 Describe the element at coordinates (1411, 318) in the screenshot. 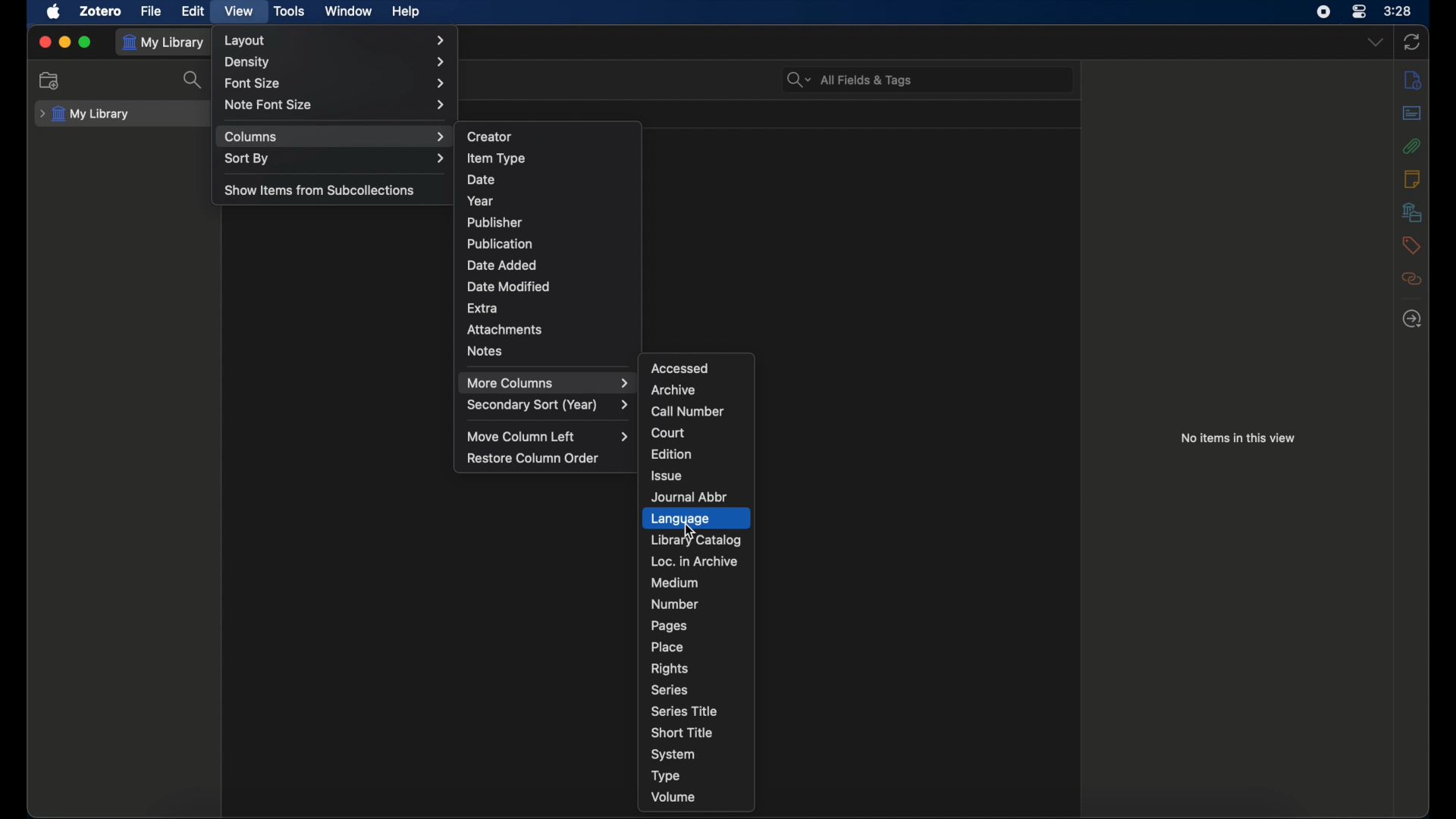

I see `locate` at that location.